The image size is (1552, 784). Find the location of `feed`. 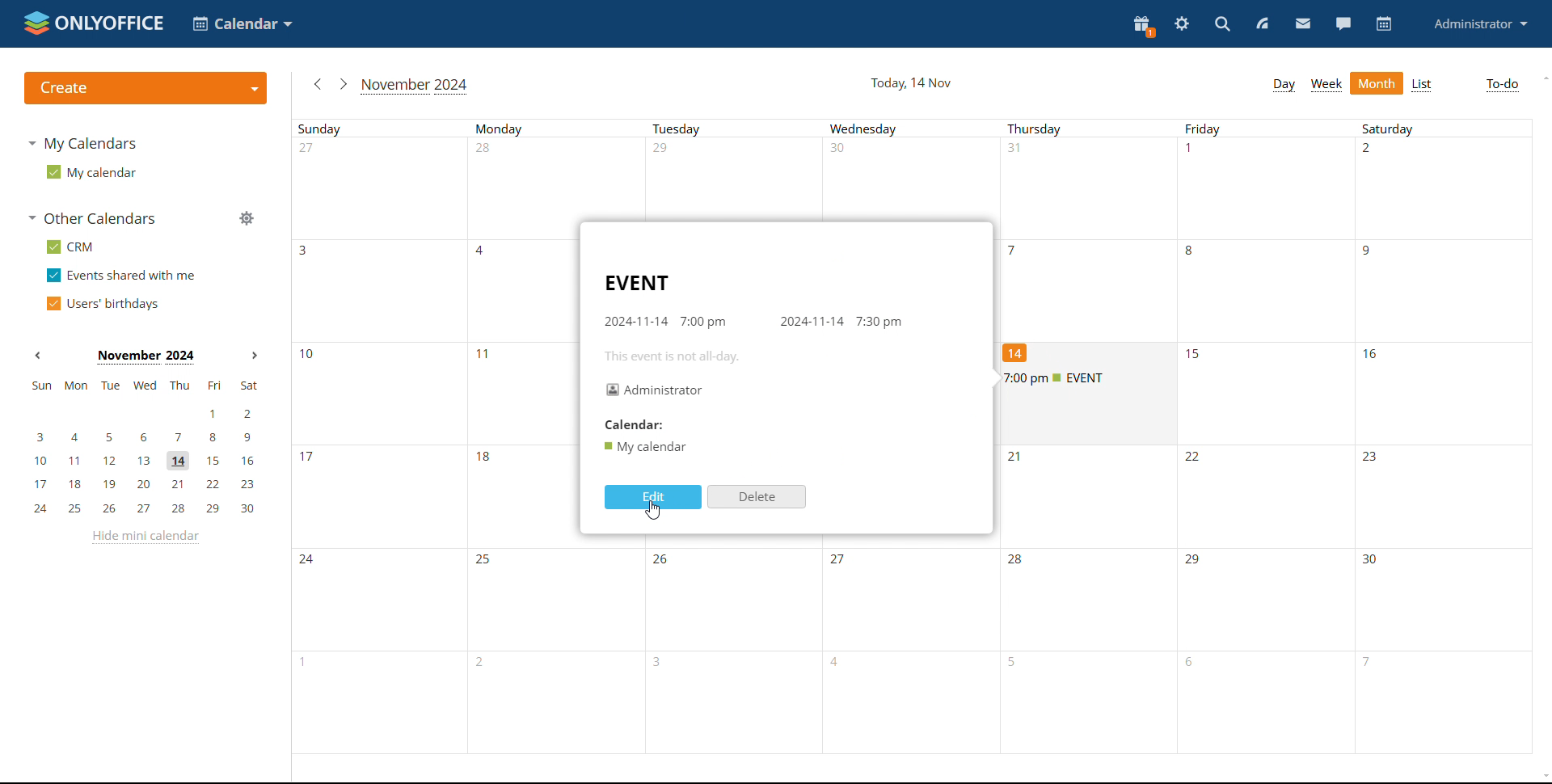

feed is located at coordinates (1263, 23).